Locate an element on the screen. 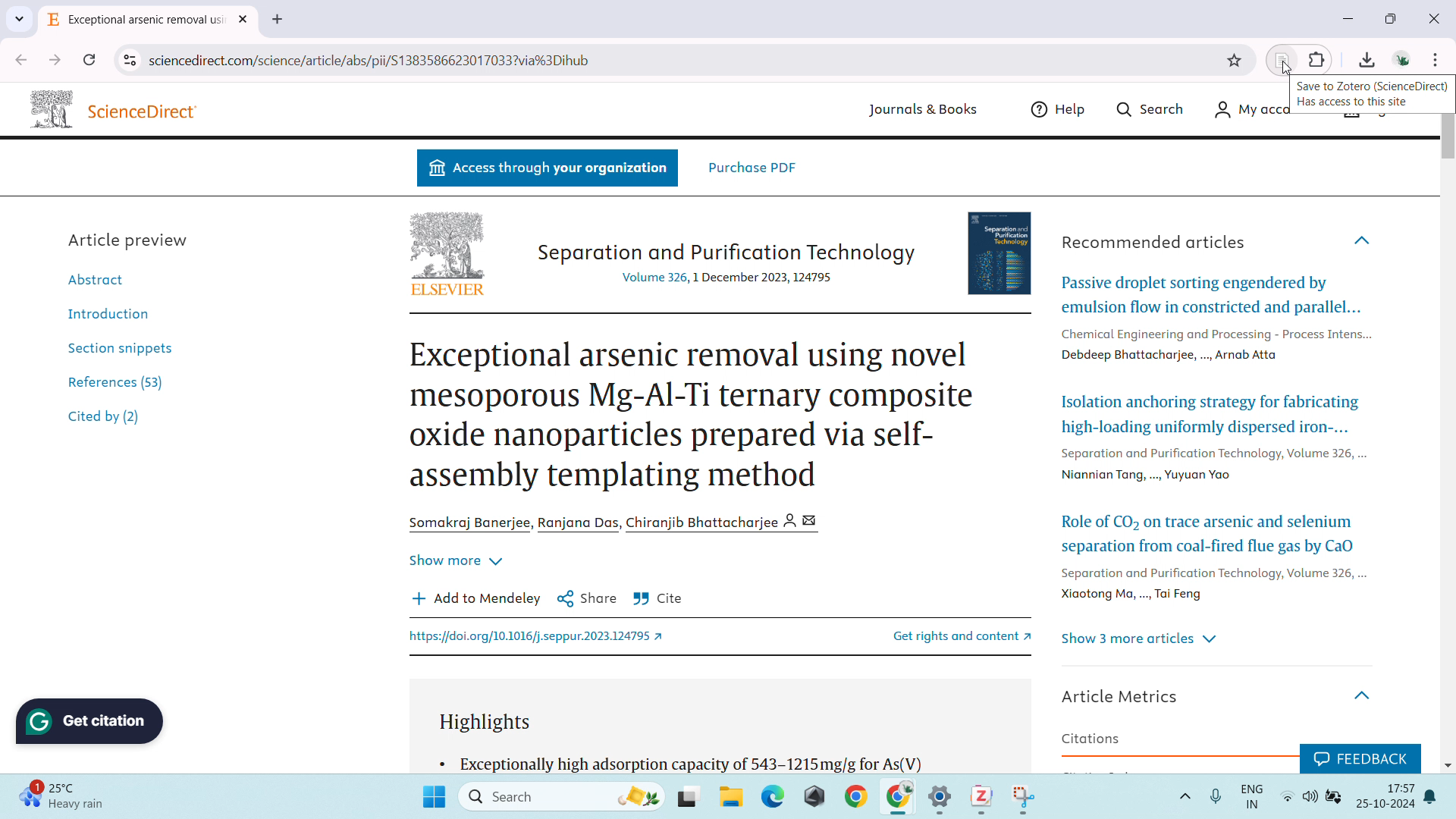 This screenshot has width=1456, height=819. Section snippets is located at coordinates (120, 347).